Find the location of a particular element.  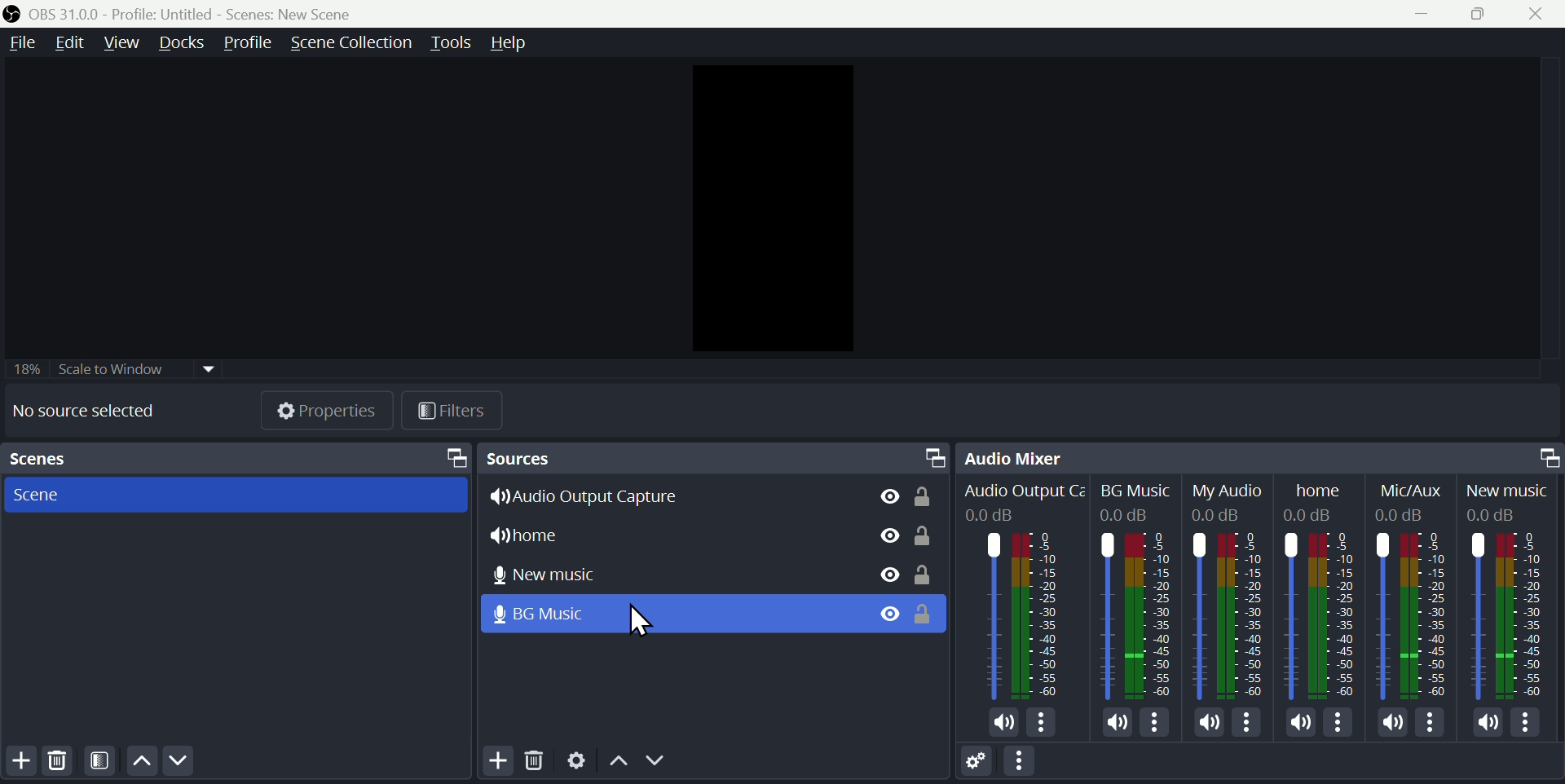

Scale to window is located at coordinates (136, 368).